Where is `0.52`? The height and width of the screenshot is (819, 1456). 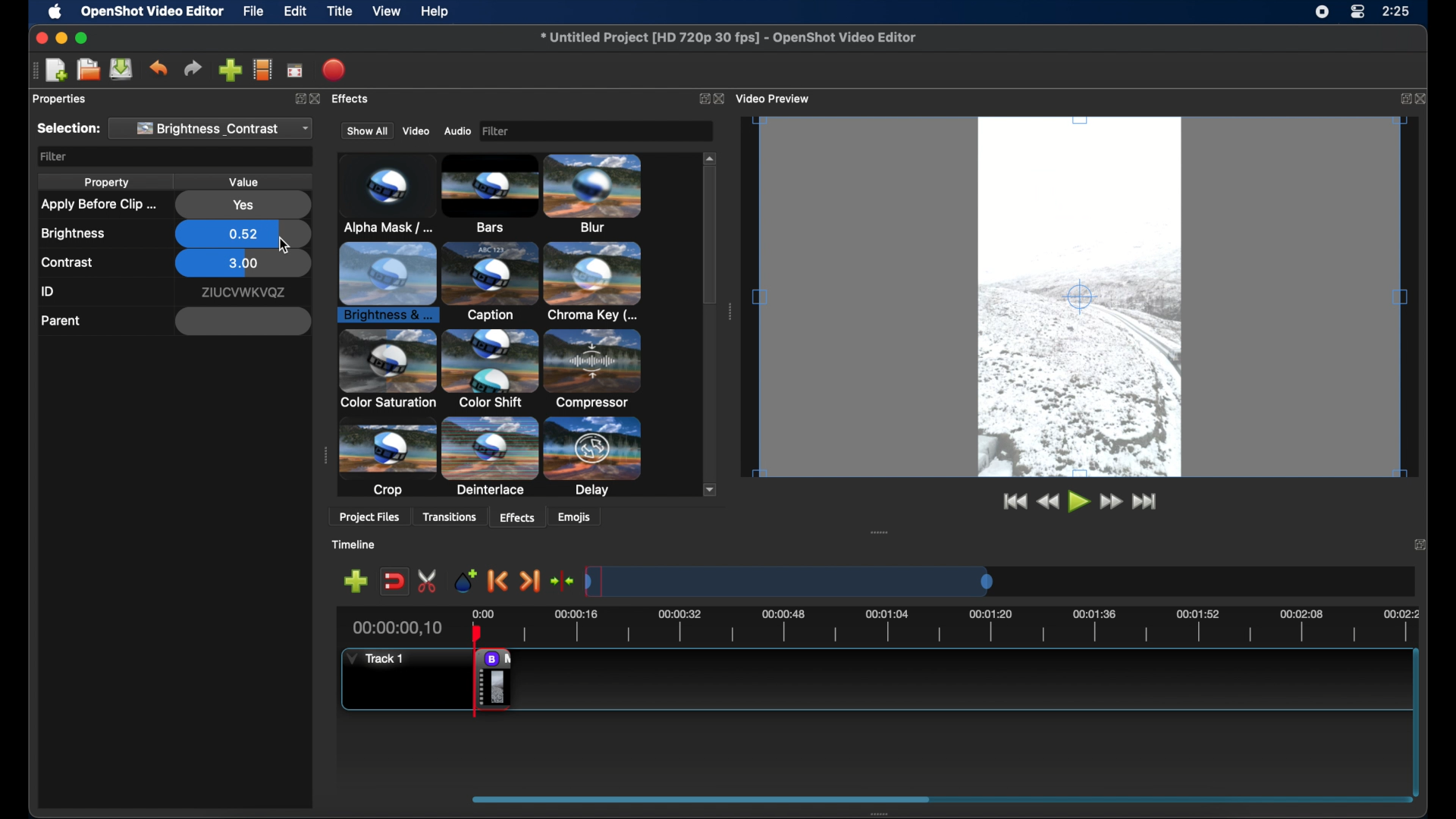
0.52 is located at coordinates (243, 232).